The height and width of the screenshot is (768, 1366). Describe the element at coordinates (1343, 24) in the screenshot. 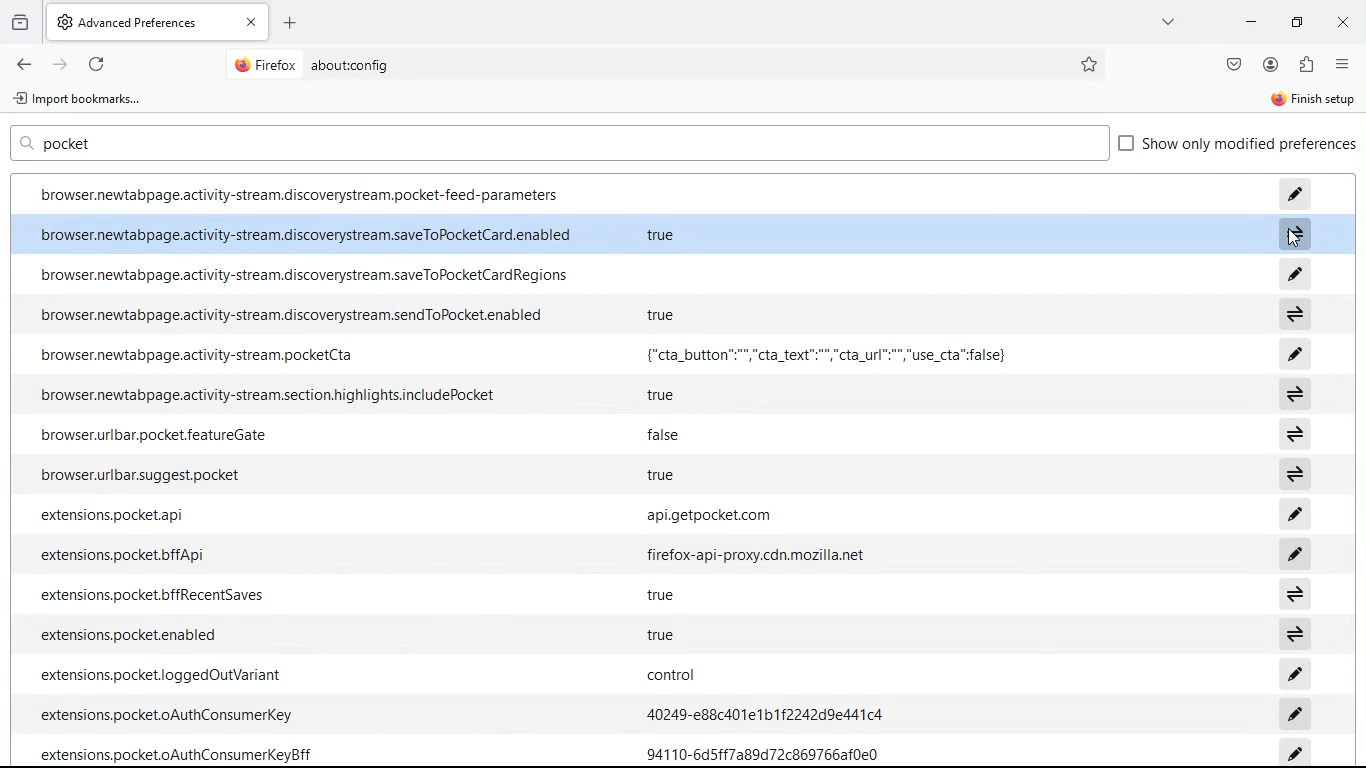

I see `close` at that location.